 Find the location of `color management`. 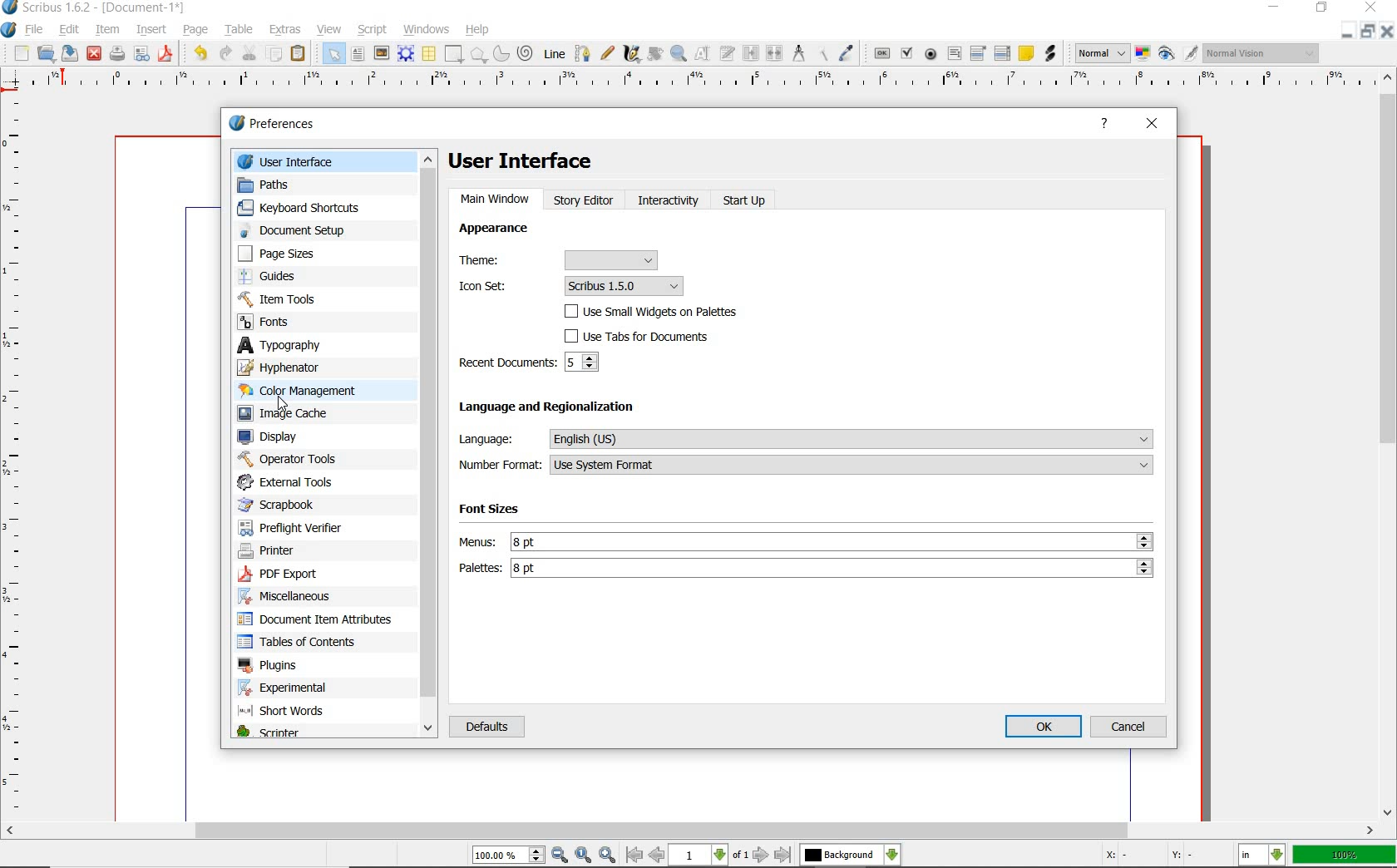

color management is located at coordinates (304, 390).